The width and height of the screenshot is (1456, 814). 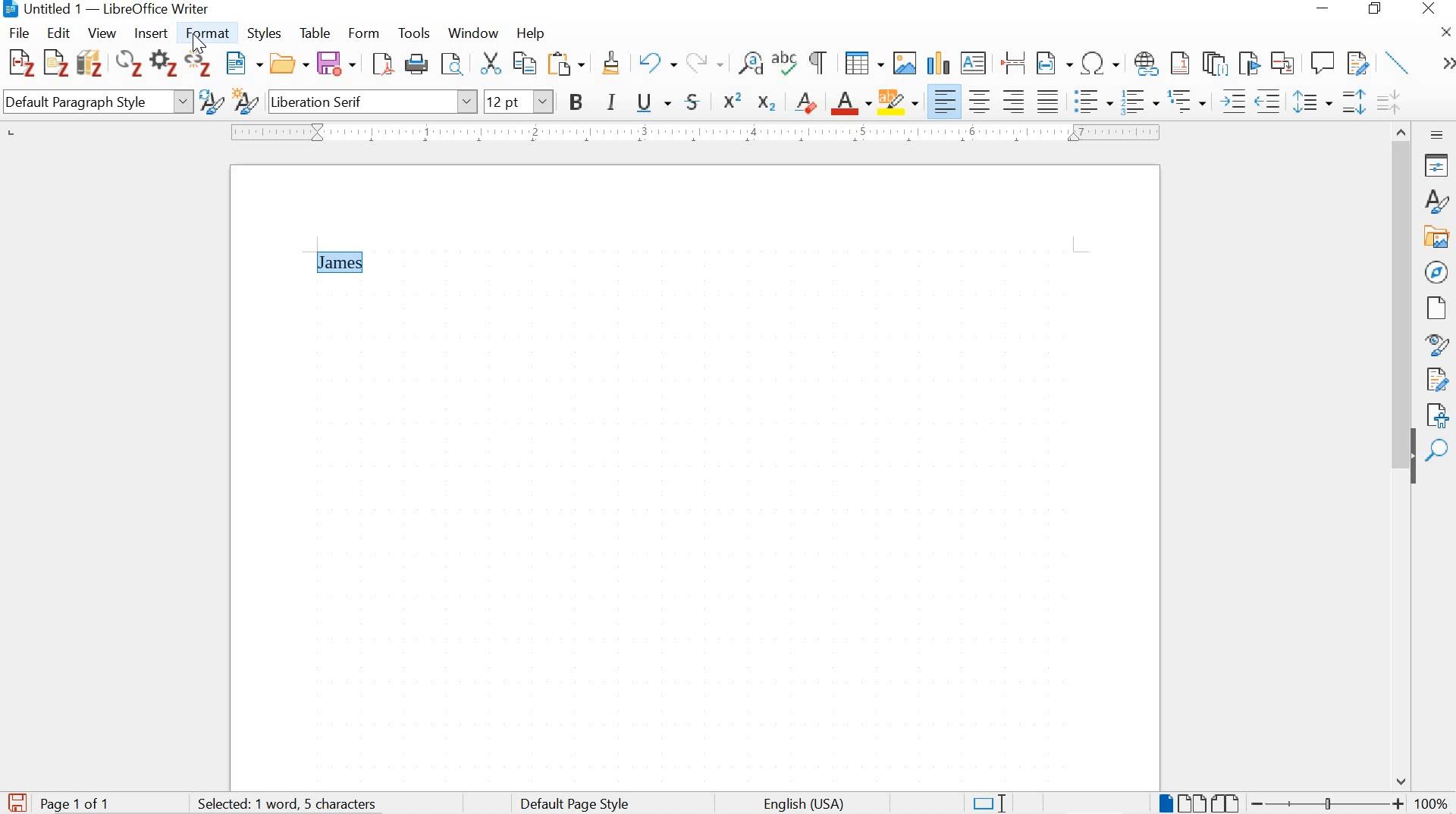 I want to click on insert field, so click(x=1054, y=64).